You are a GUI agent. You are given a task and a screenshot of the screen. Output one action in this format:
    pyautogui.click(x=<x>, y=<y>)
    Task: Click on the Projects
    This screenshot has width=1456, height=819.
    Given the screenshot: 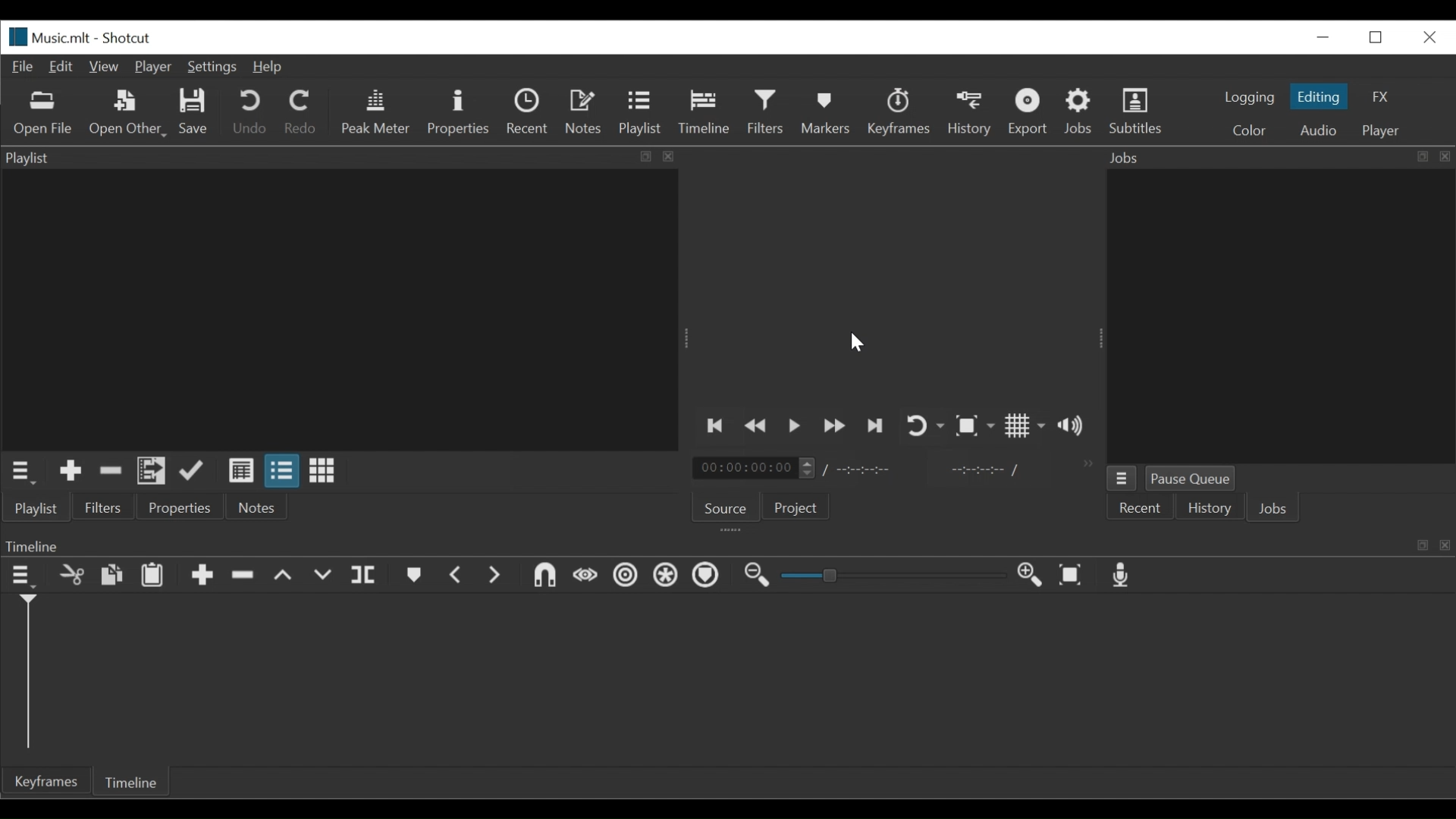 What is the action you would take?
    pyautogui.click(x=798, y=505)
    